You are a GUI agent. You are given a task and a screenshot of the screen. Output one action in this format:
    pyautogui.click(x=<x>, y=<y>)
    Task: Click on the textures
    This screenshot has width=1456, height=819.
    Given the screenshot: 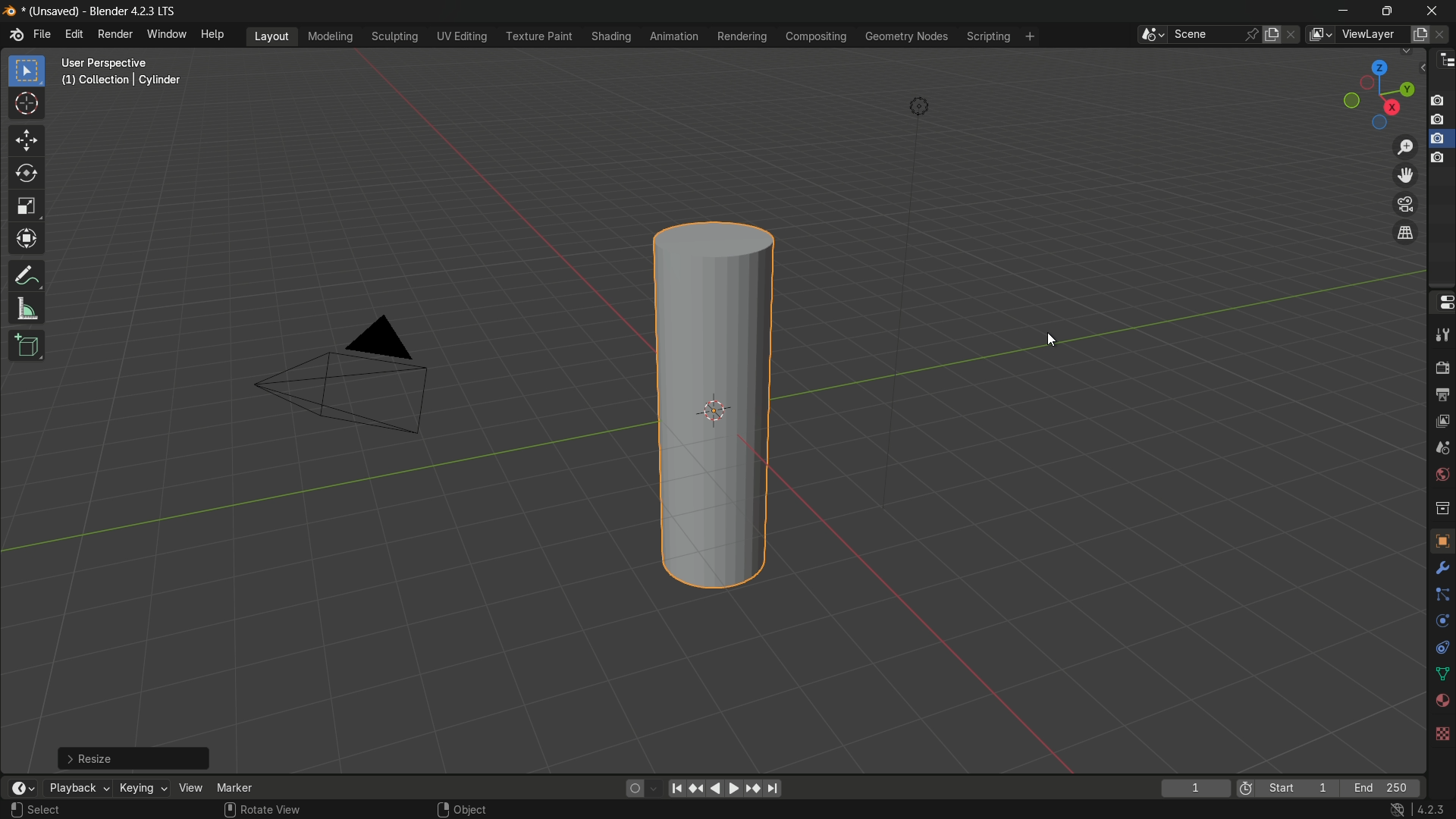 What is the action you would take?
    pyautogui.click(x=1443, y=730)
    